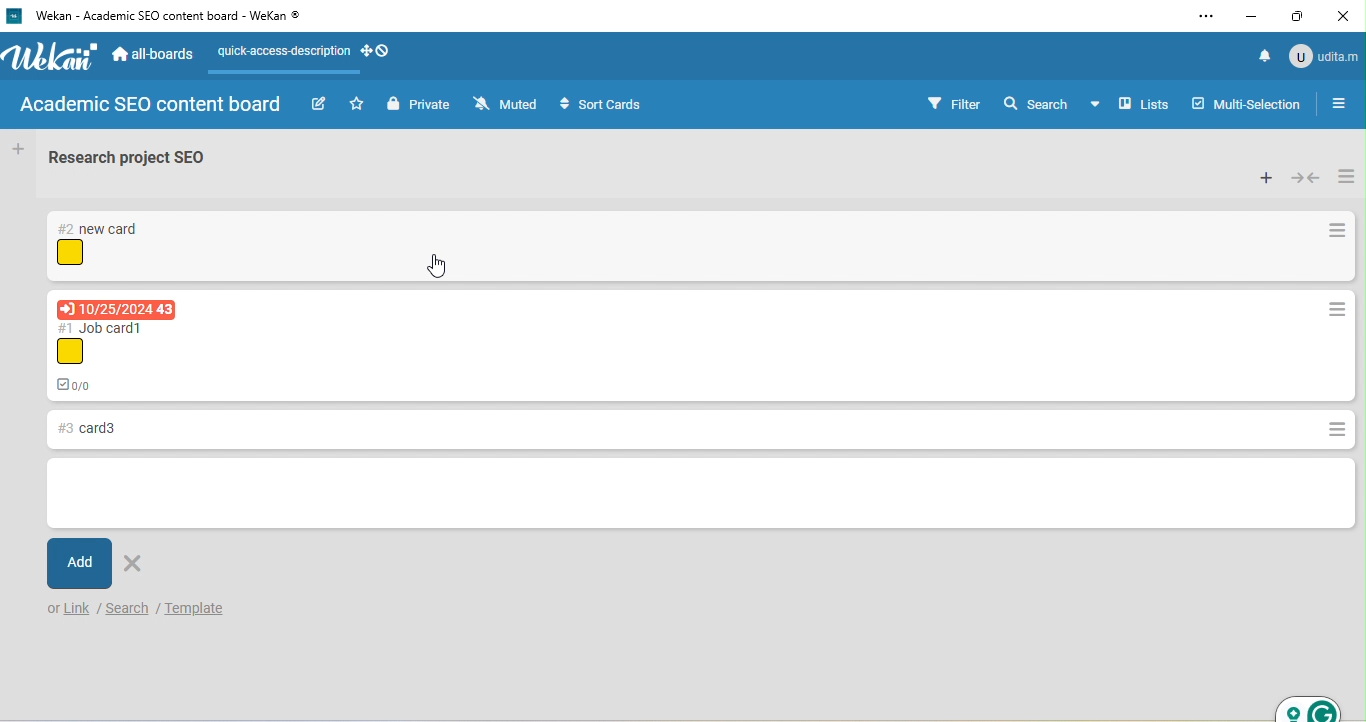 The width and height of the screenshot is (1366, 722). Describe the element at coordinates (128, 608) in the screenshot. I see `search` at that location.